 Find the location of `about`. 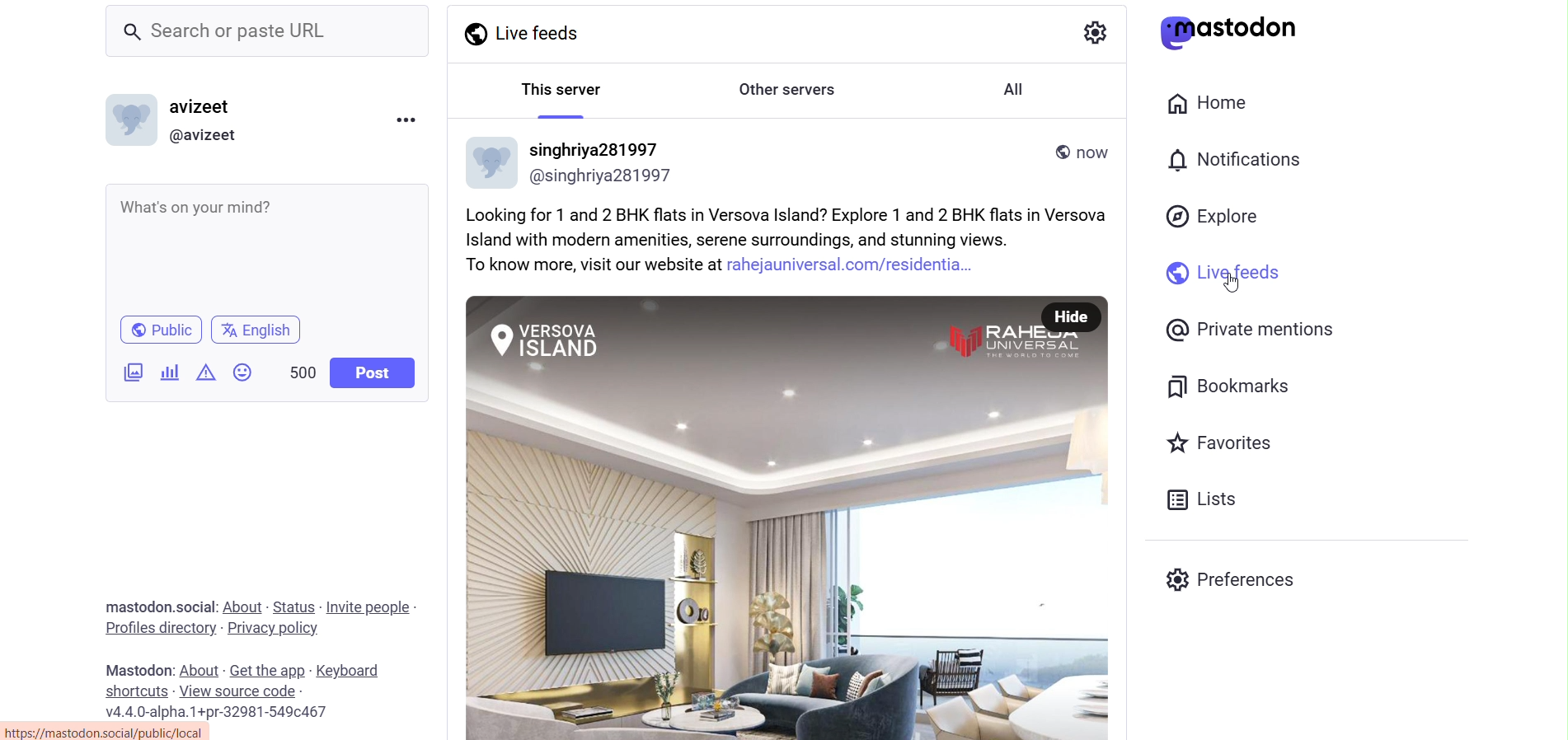

about is located at coordinates (199, 669).